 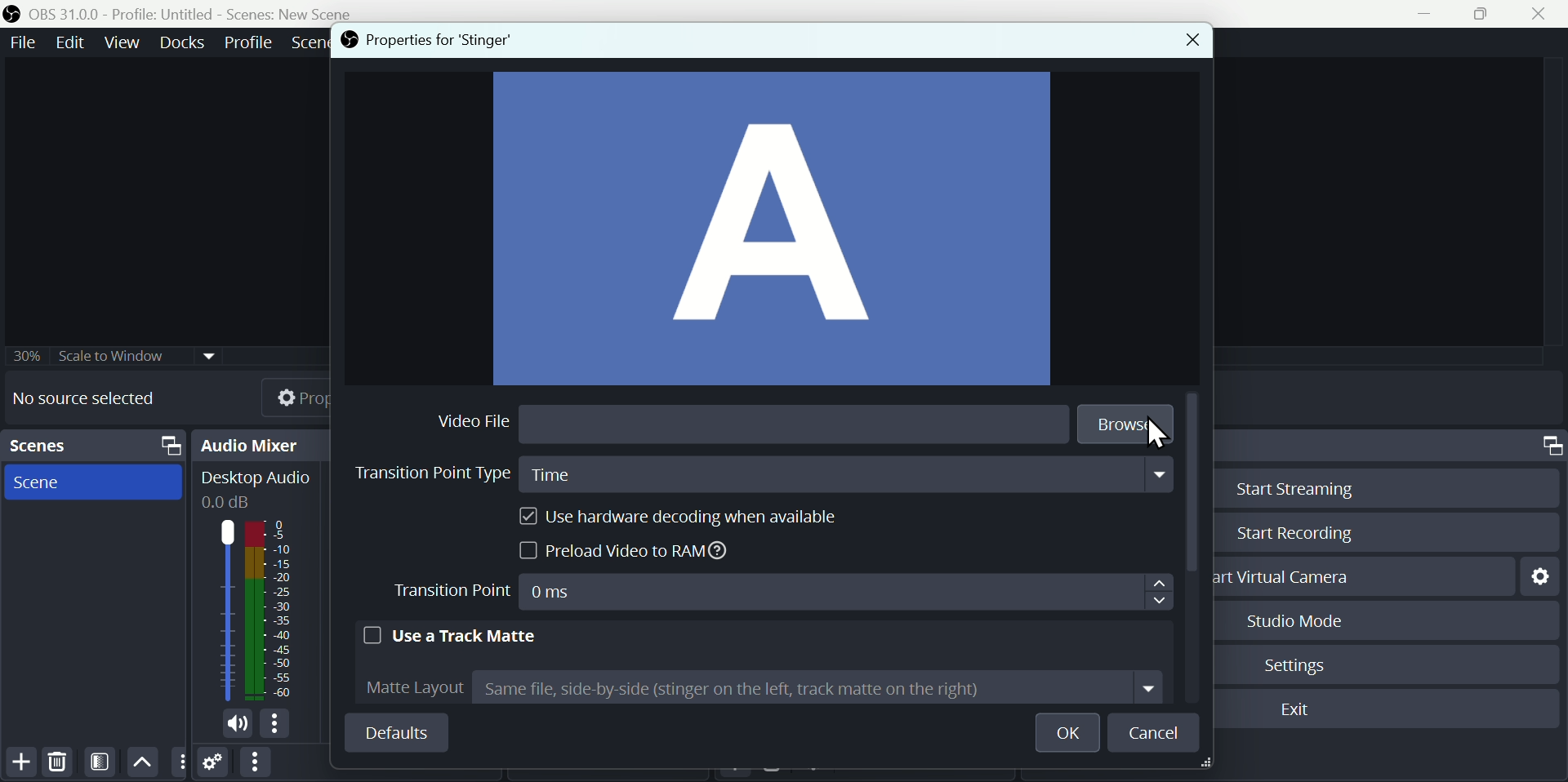 I want to click on Settings, so click(x=1301, y=663).